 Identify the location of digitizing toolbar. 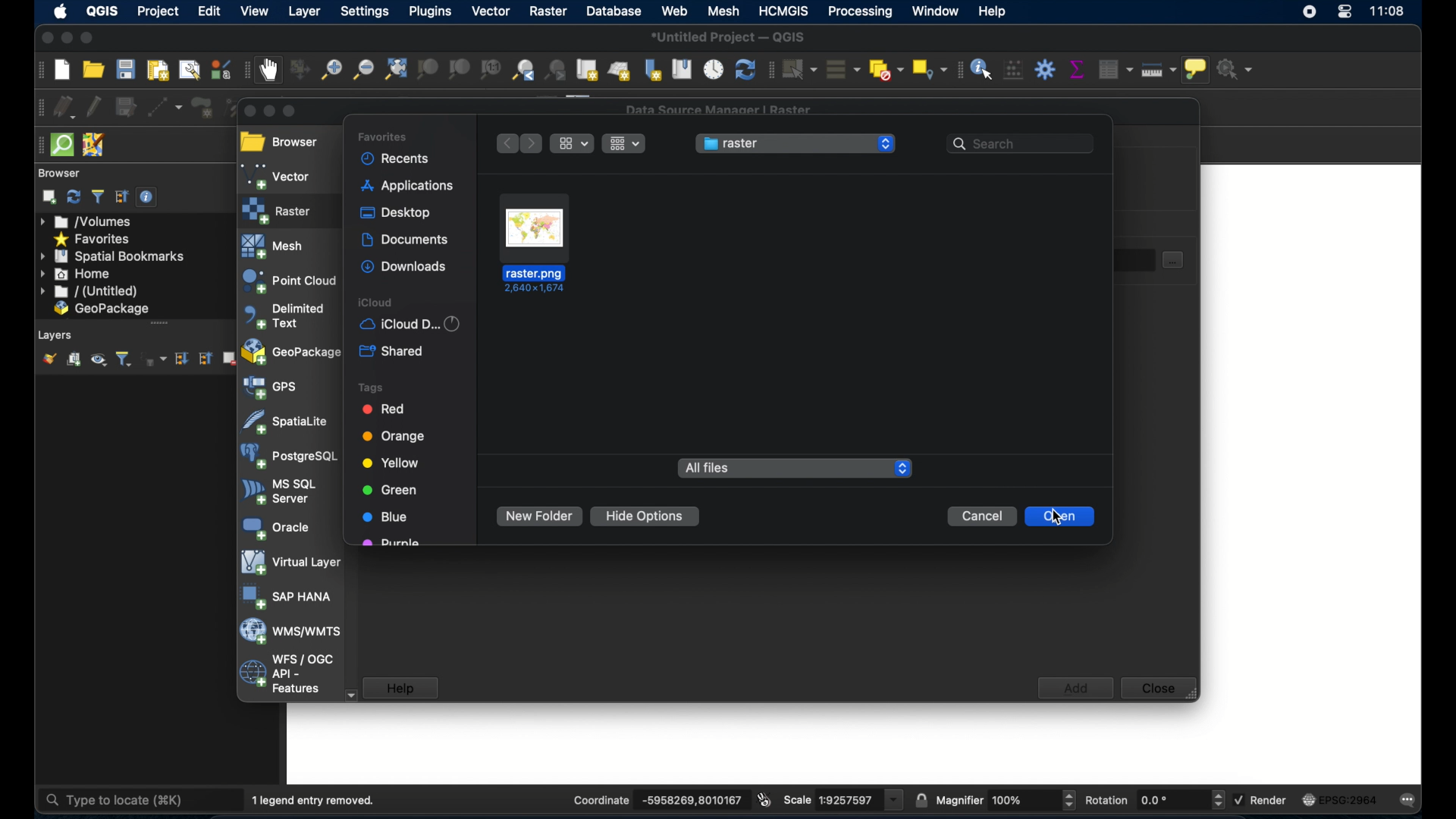
(36, 108).